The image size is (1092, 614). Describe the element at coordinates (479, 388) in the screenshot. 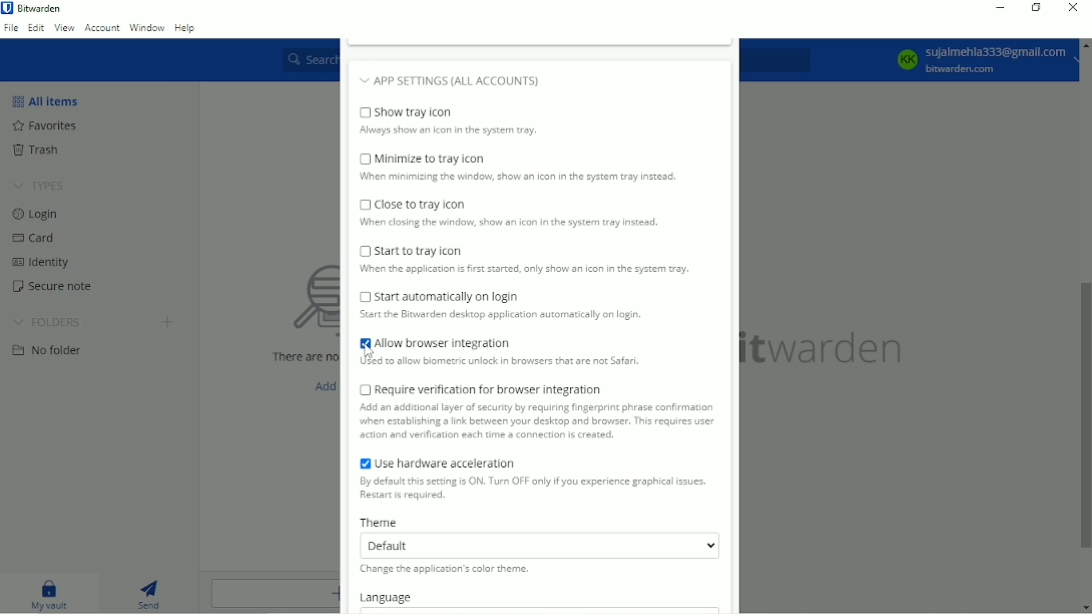

I see `Require verification for browser integration` at that location.